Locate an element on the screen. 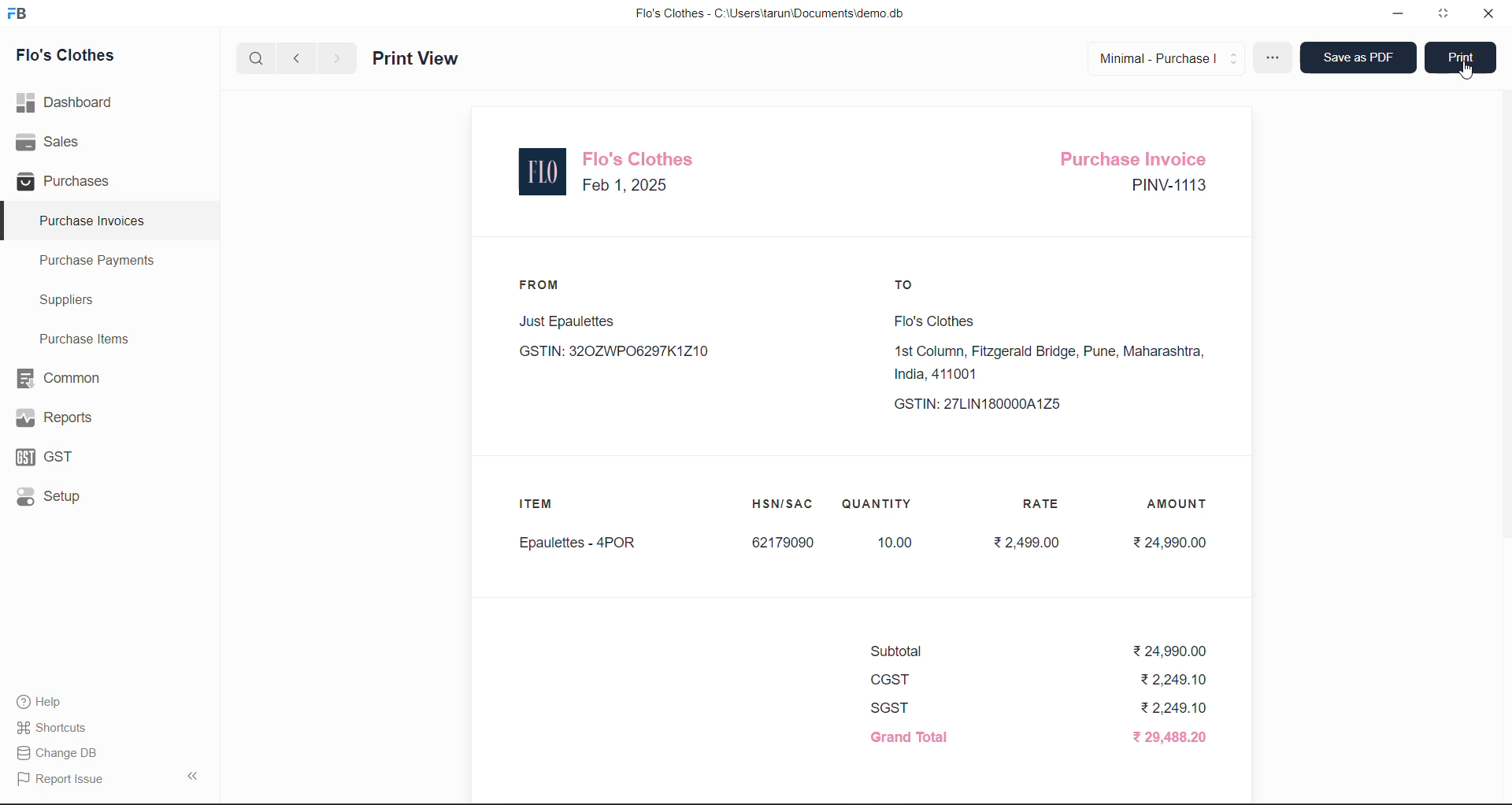 This screenshot has height=805, width=1512. Purchase Items is located at coordinates (89, 338).